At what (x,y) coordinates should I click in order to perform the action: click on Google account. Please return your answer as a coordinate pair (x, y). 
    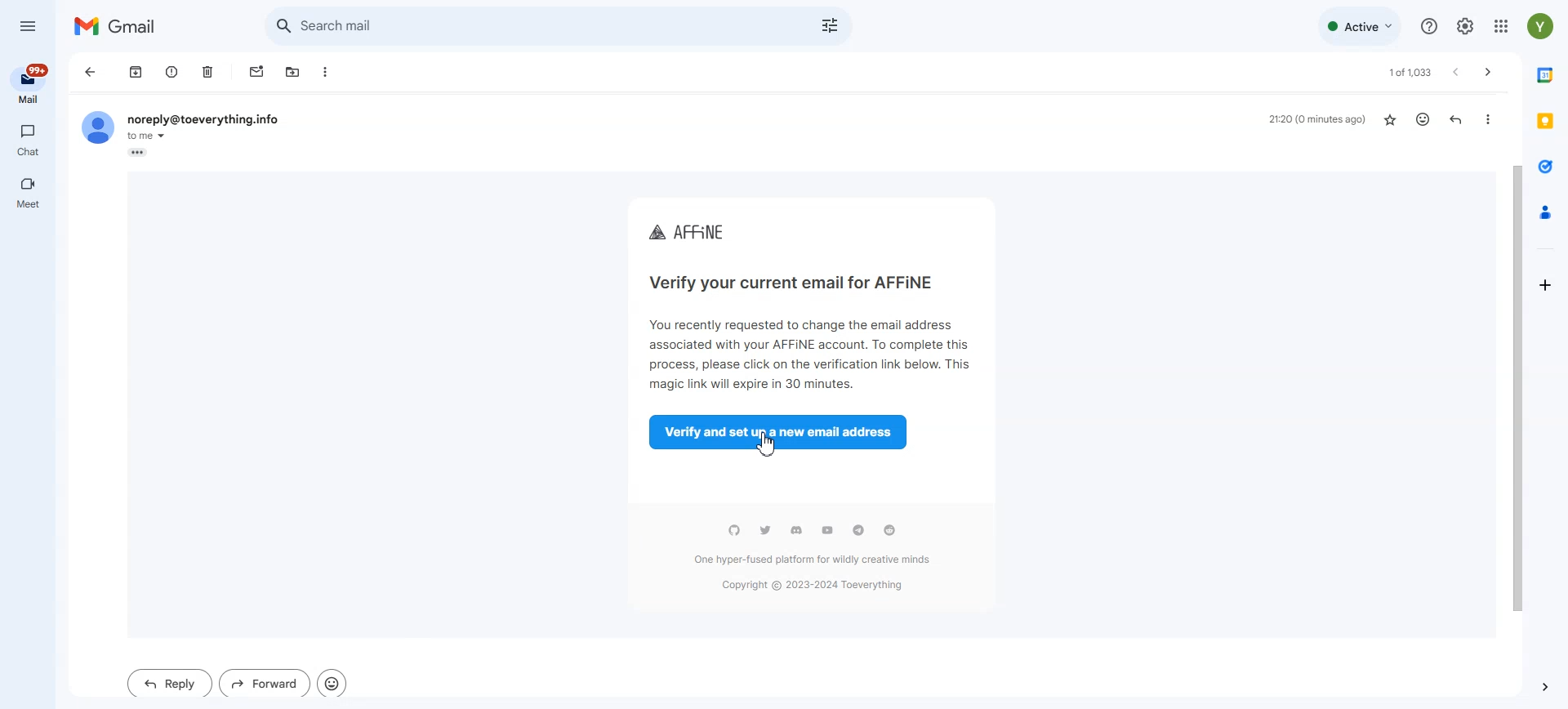
    Looking at the image, I should click on (1539, 27).